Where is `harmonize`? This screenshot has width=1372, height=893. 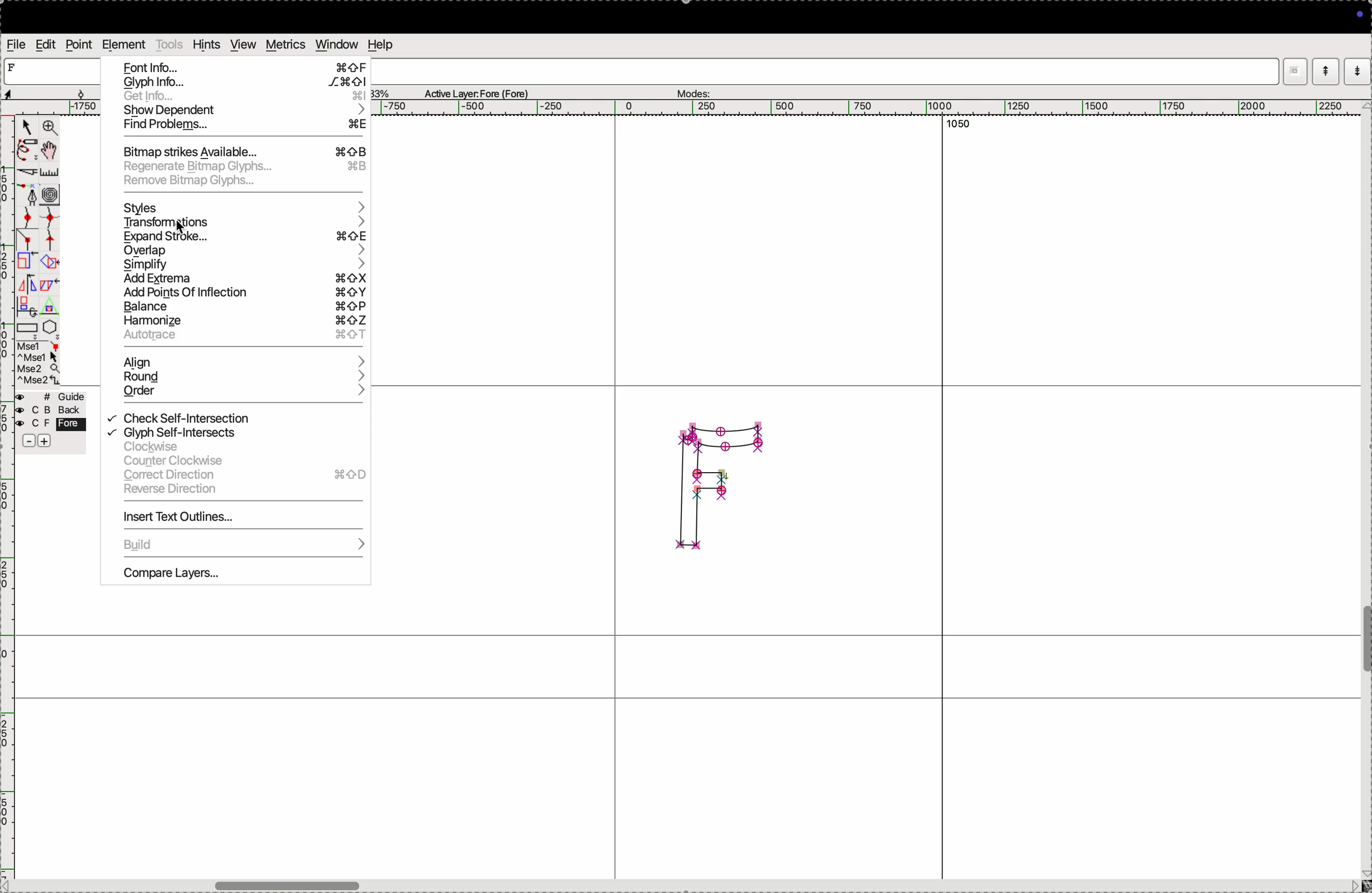 harmonize is located at coordinates (244, 322).